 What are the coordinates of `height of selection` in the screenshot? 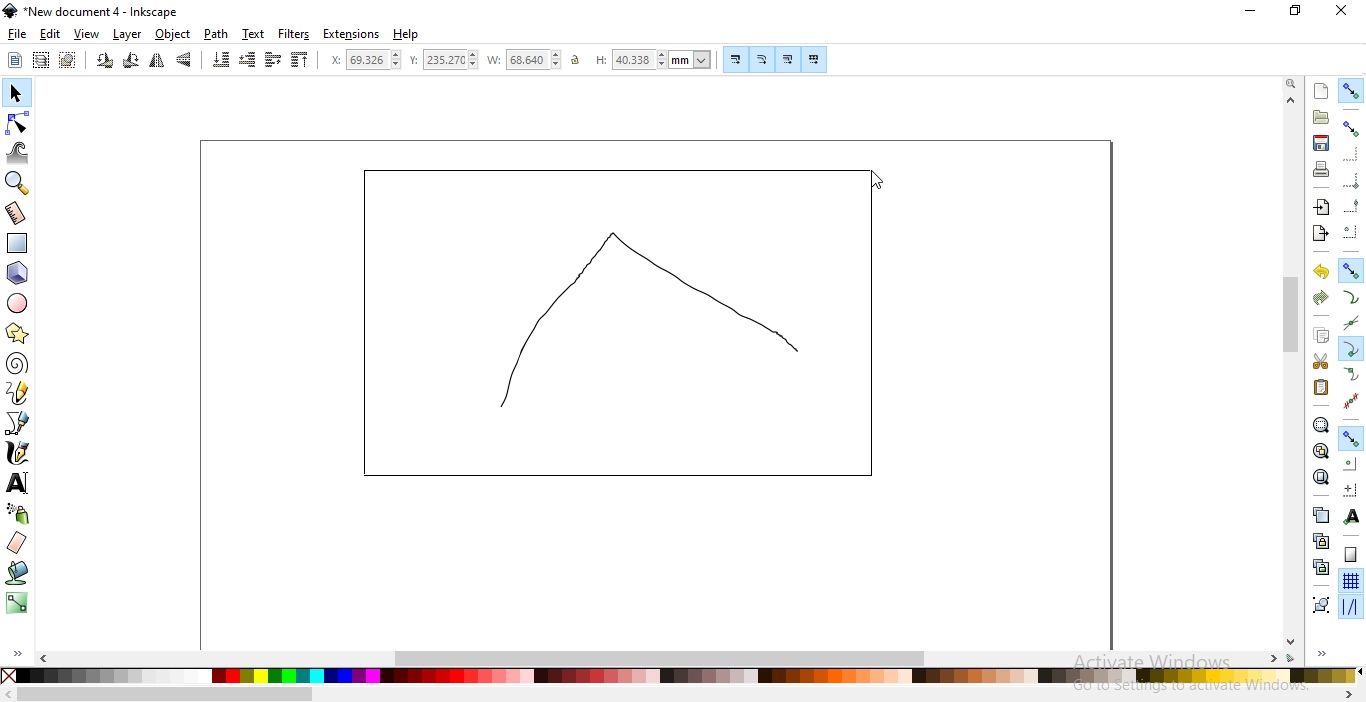 It's located at (653, 59).